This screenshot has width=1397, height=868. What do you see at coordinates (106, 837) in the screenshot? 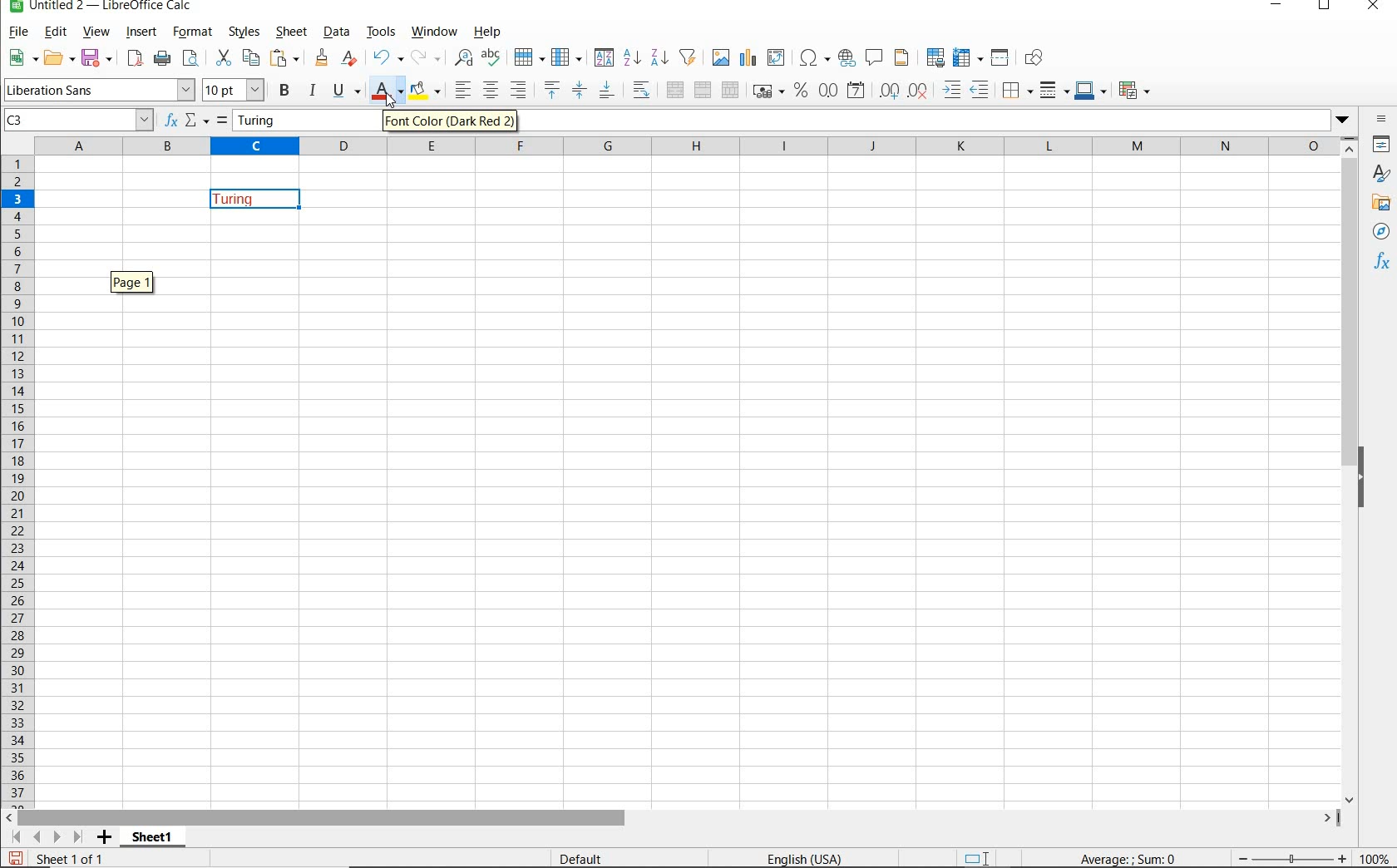
I see `ADD SHEET` at bounding box center [106, 837].